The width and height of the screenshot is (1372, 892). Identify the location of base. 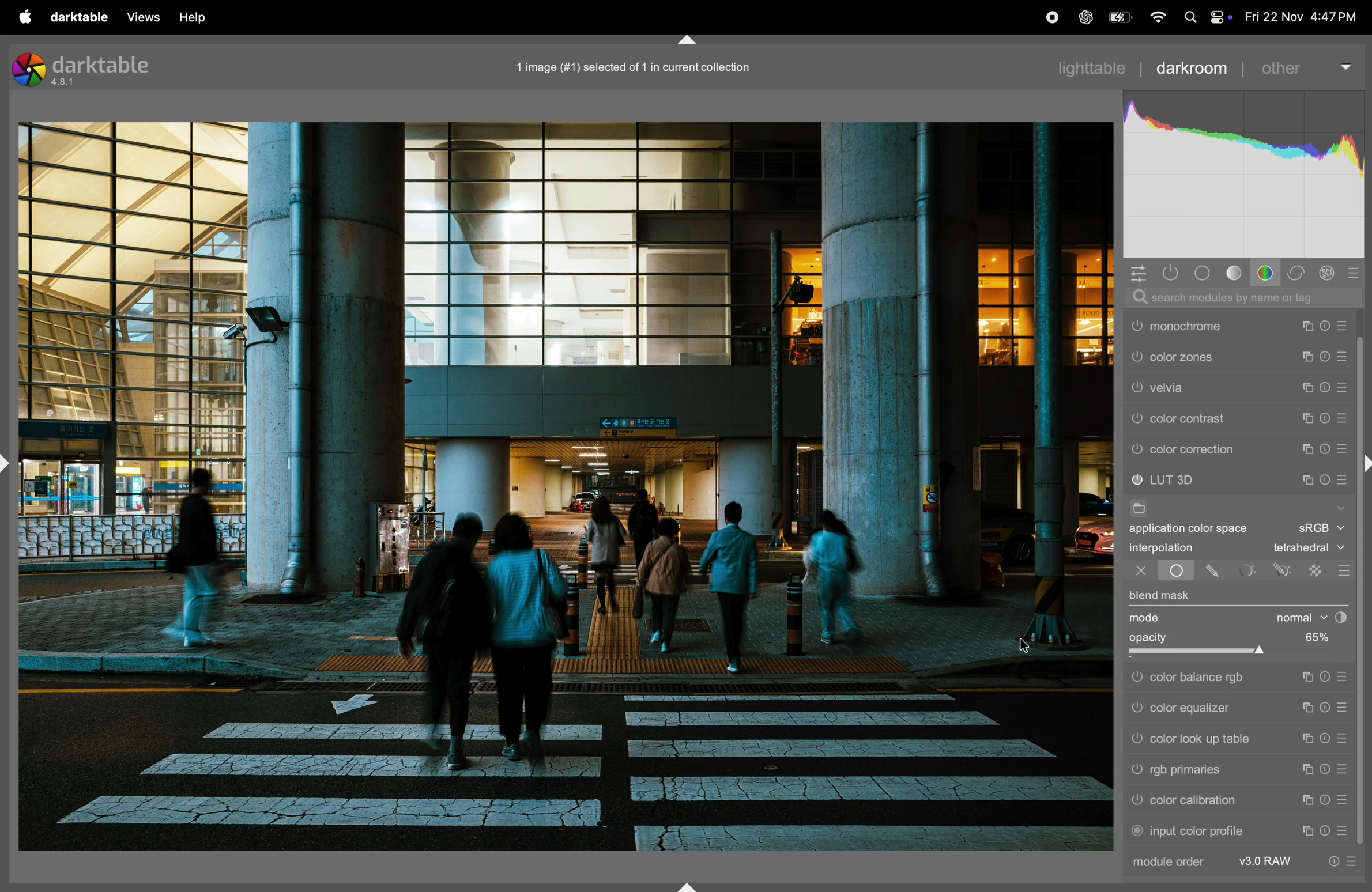
(1205, 274).